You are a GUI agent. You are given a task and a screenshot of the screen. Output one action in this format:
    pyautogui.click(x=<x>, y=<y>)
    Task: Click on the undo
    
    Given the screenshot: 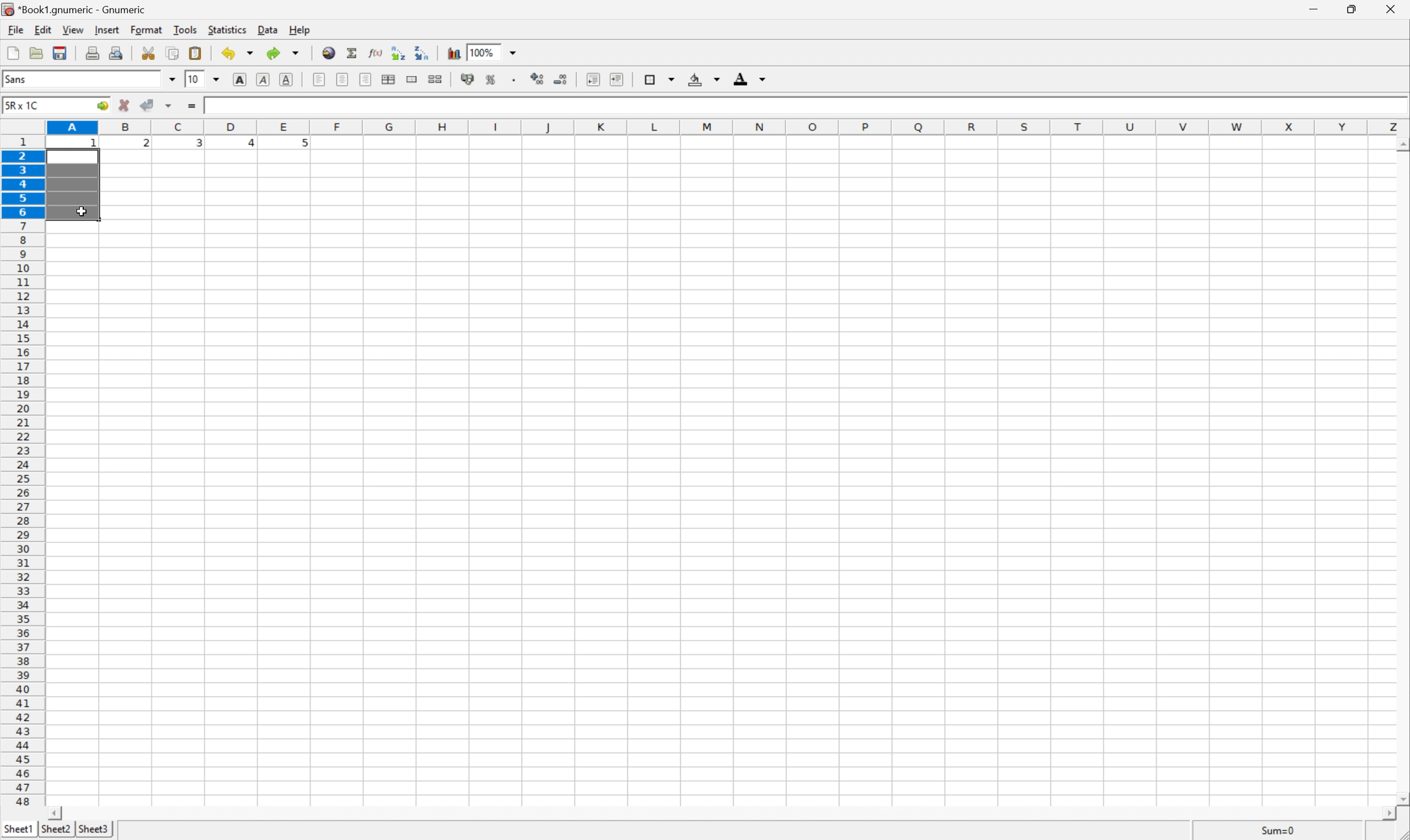 What is the action you would take?
    pyautogui.click(x=238, y=52)
    